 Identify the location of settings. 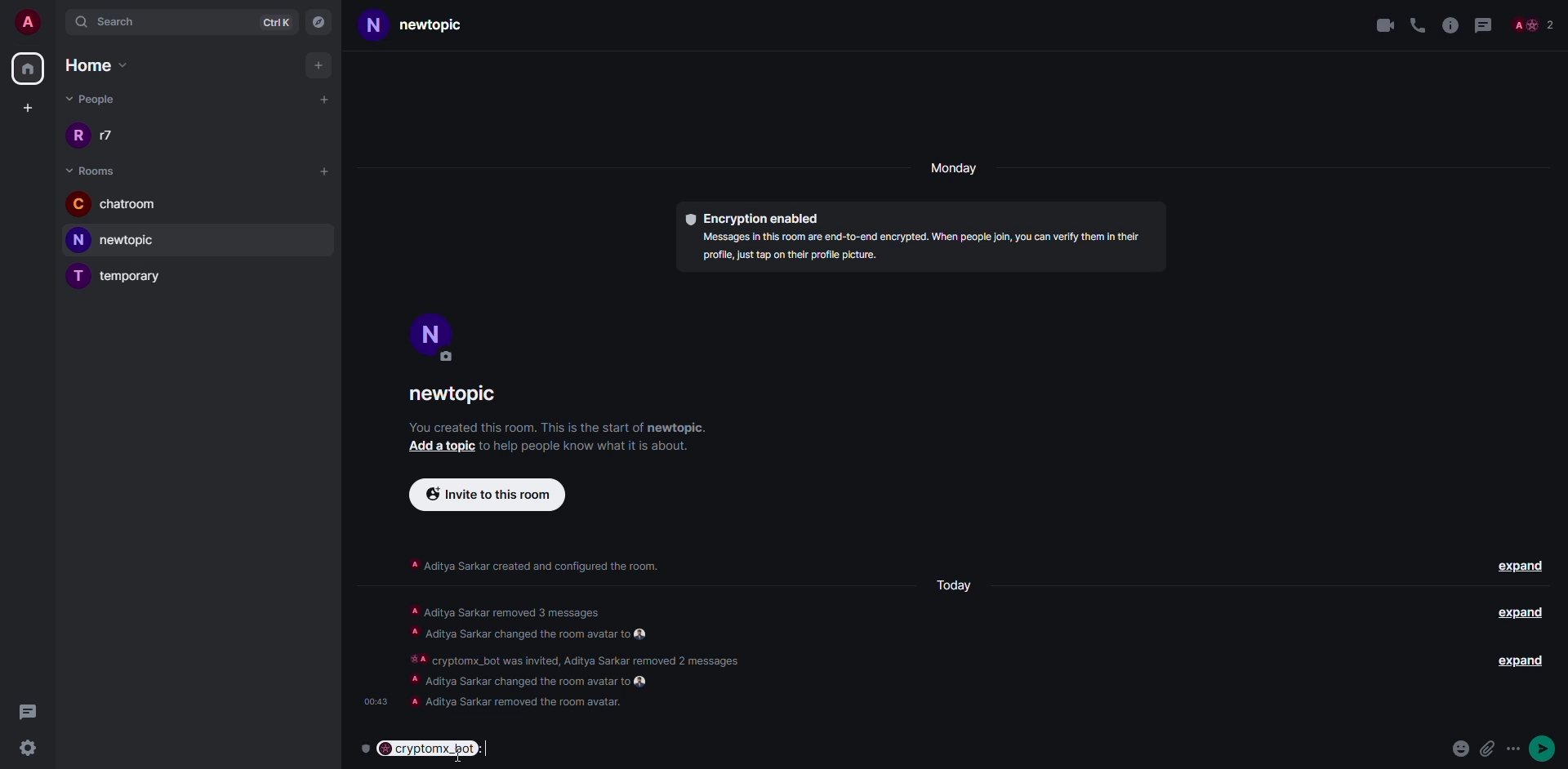
(27, 749).